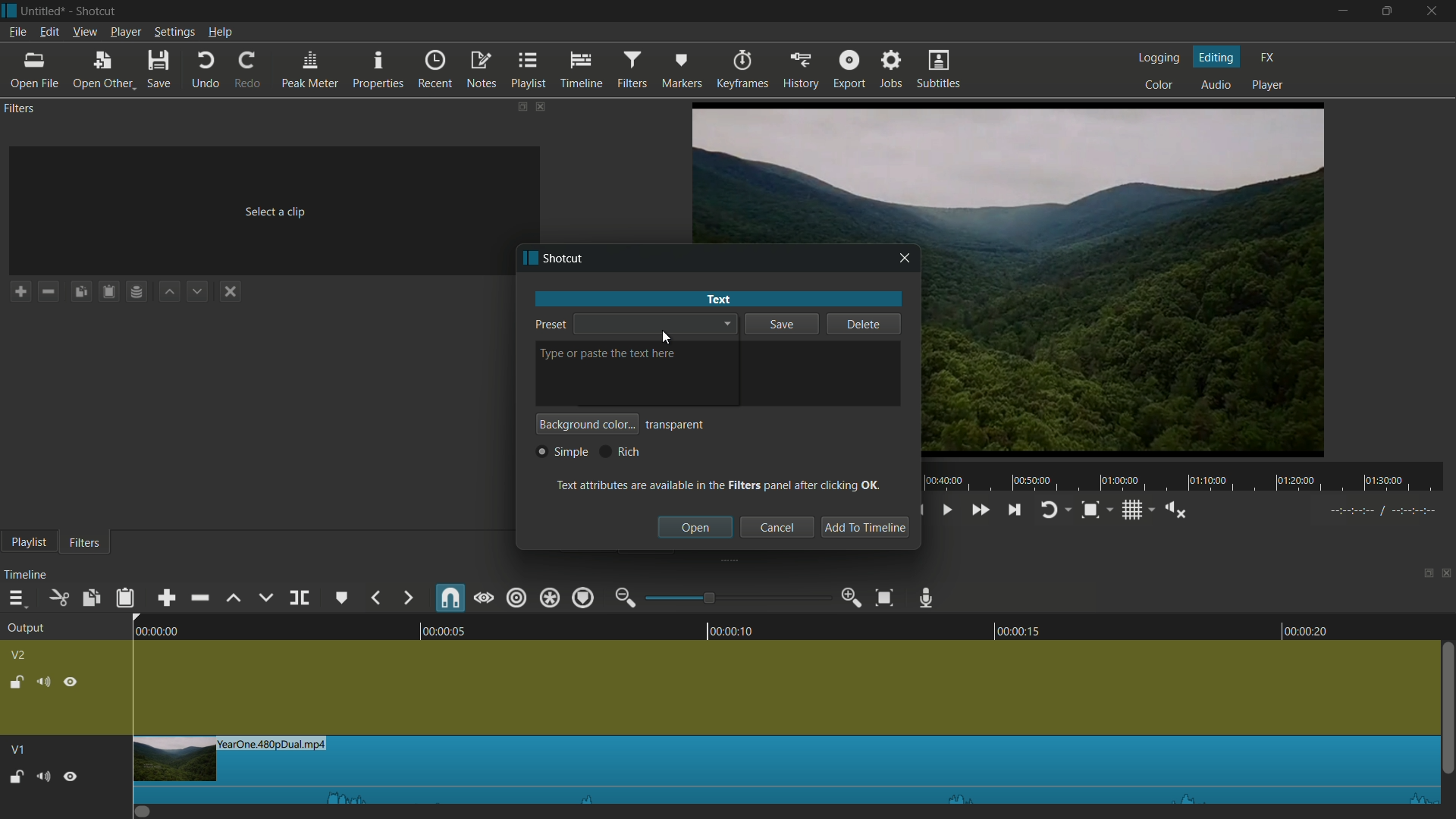  Describe the element at coordinates (850, 70) in the screenshot. I see `export` at that location.